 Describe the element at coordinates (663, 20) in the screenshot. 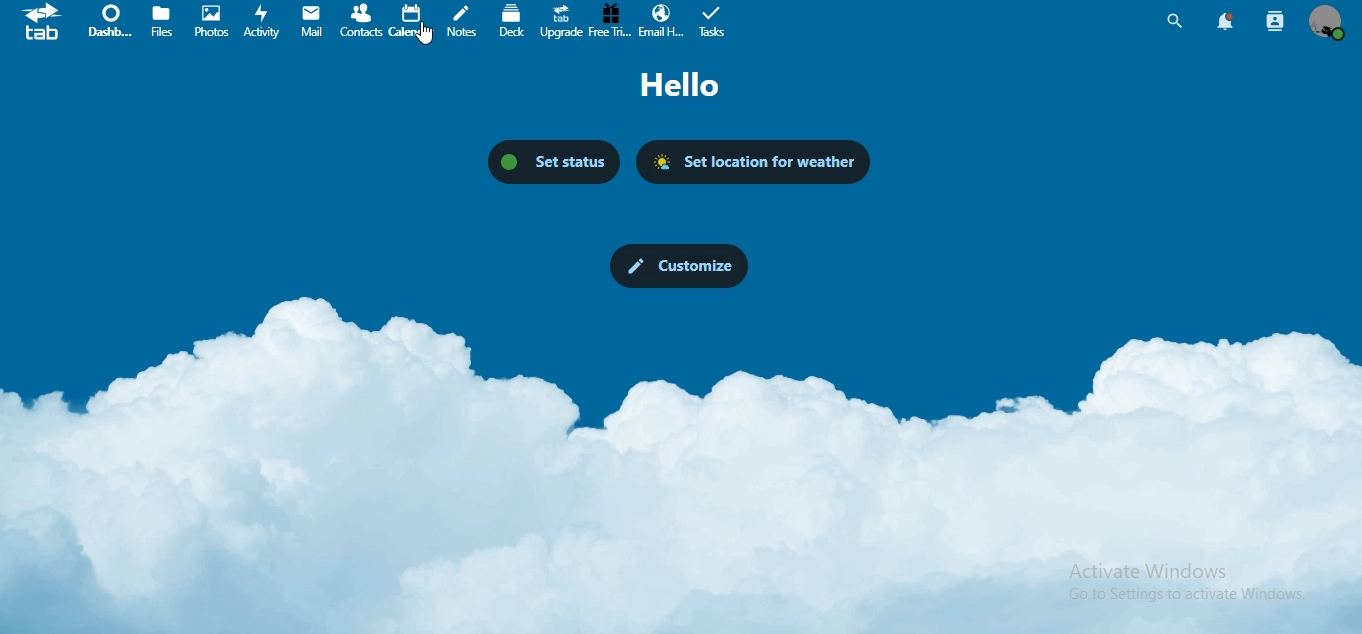

I see `email hosting` at that location.